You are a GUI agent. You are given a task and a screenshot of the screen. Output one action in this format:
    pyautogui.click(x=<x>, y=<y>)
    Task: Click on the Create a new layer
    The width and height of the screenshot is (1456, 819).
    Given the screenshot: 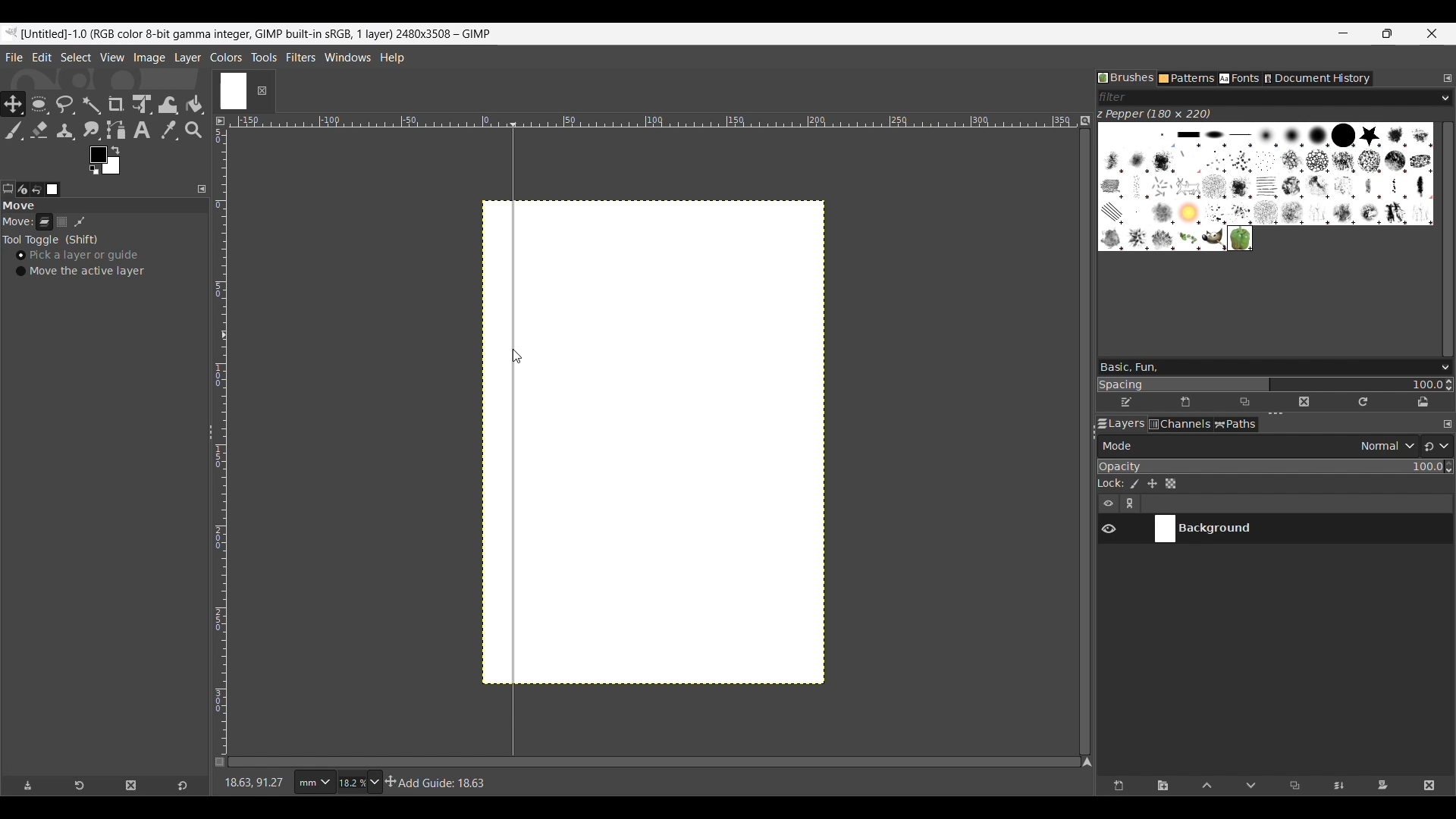 What is the action you would take?
    pyautogui.click(x=1118, y=786)
    